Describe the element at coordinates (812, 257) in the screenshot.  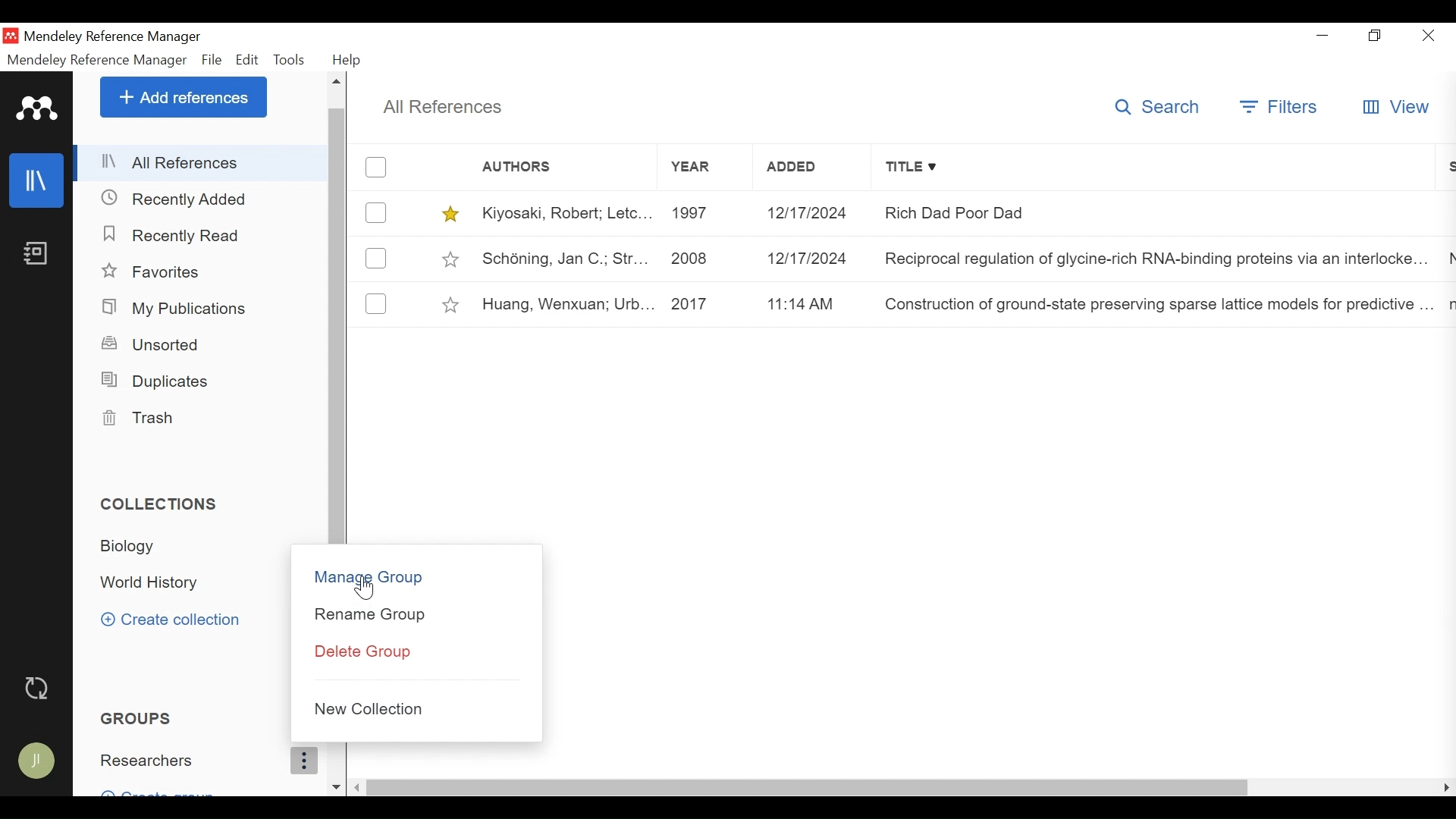
I see `12/17/2024` at that location.